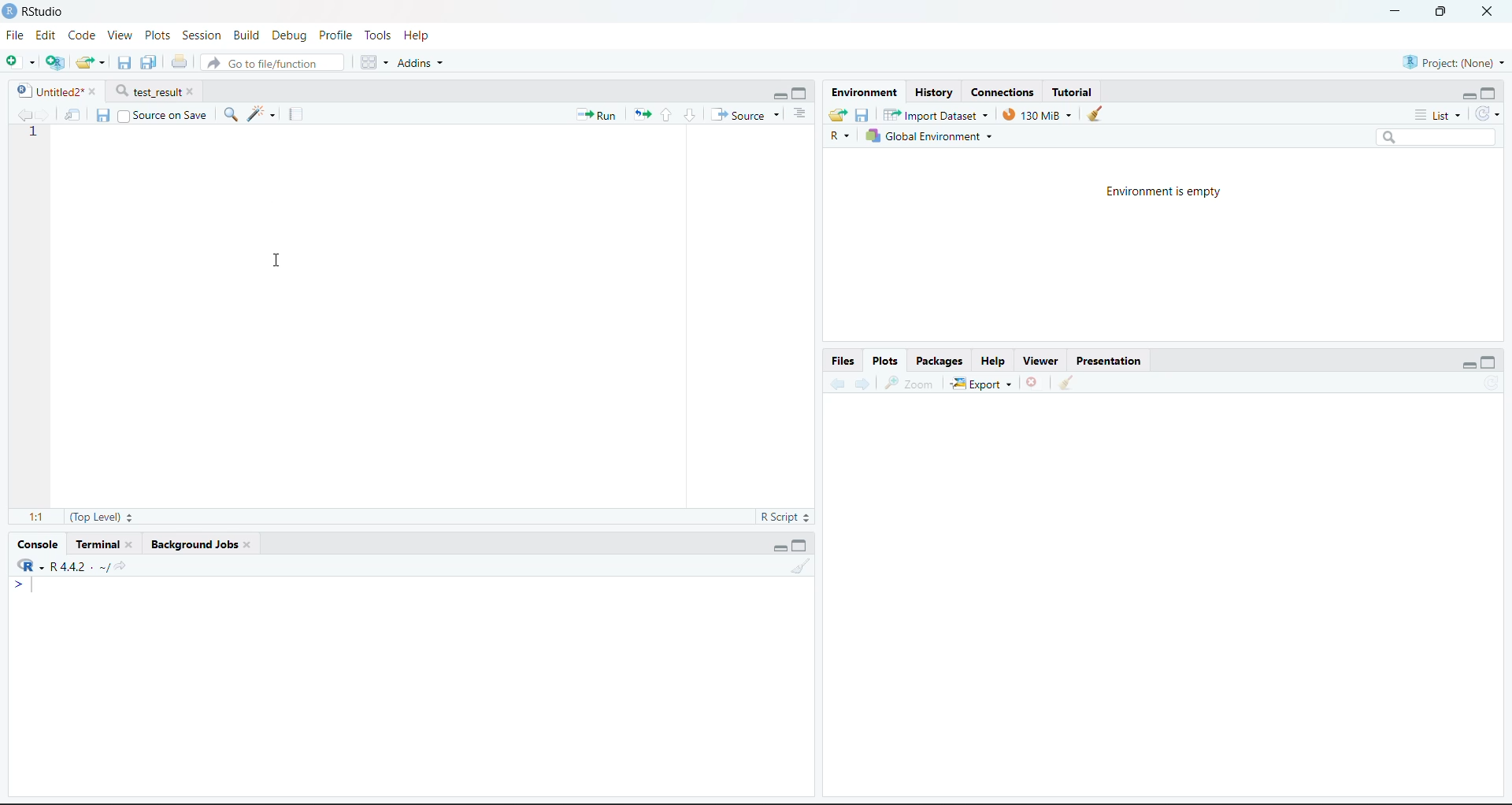  What do you see at coordinates (273, 63) in the screenshot?
I see `Go to file/function` at bounding box center [273, 63].